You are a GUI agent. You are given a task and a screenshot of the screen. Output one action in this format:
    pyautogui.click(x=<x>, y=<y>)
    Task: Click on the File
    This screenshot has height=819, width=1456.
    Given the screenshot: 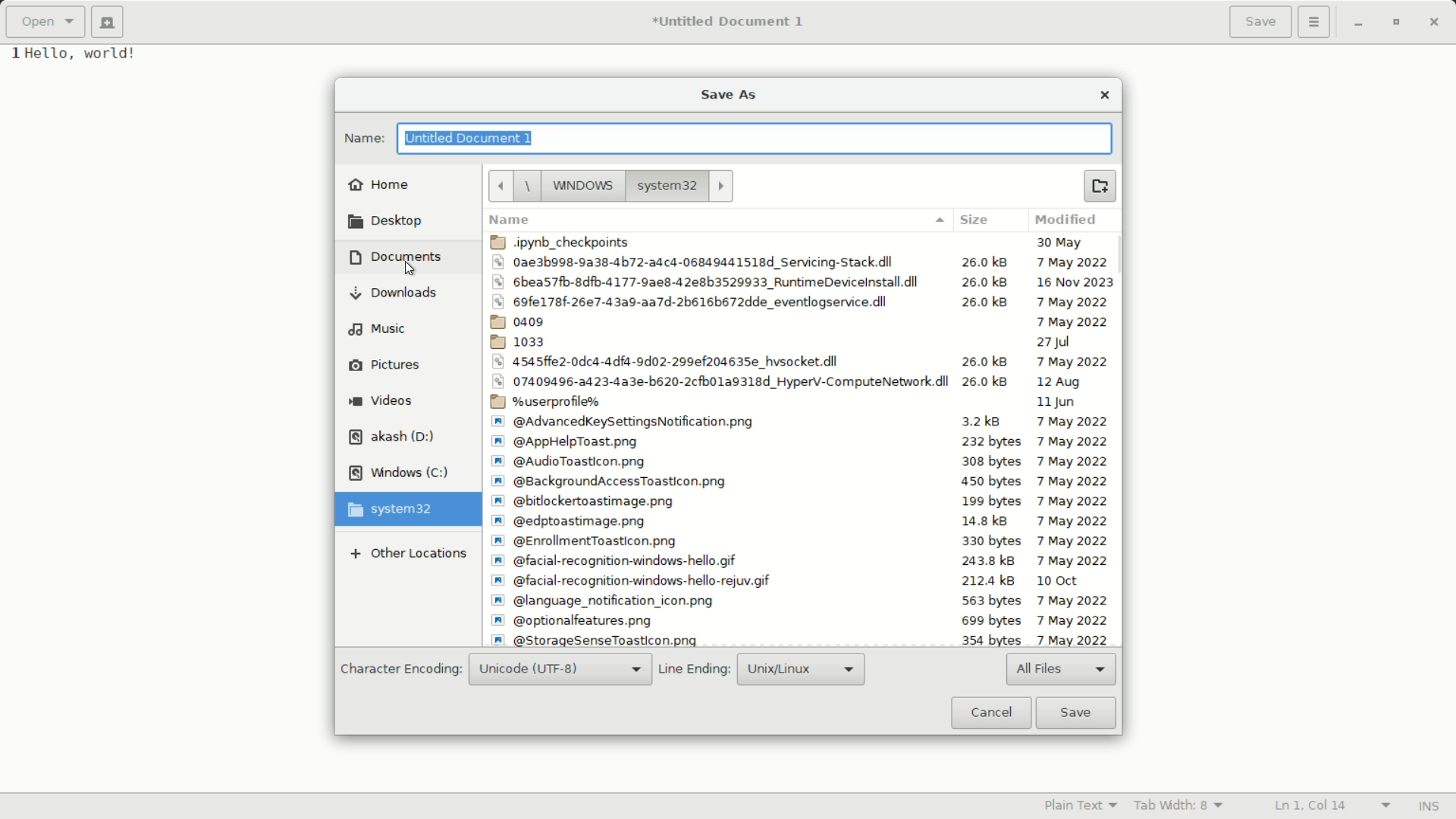 What is the action you would take?
    pyautogui.click(x=802, y=482)
    